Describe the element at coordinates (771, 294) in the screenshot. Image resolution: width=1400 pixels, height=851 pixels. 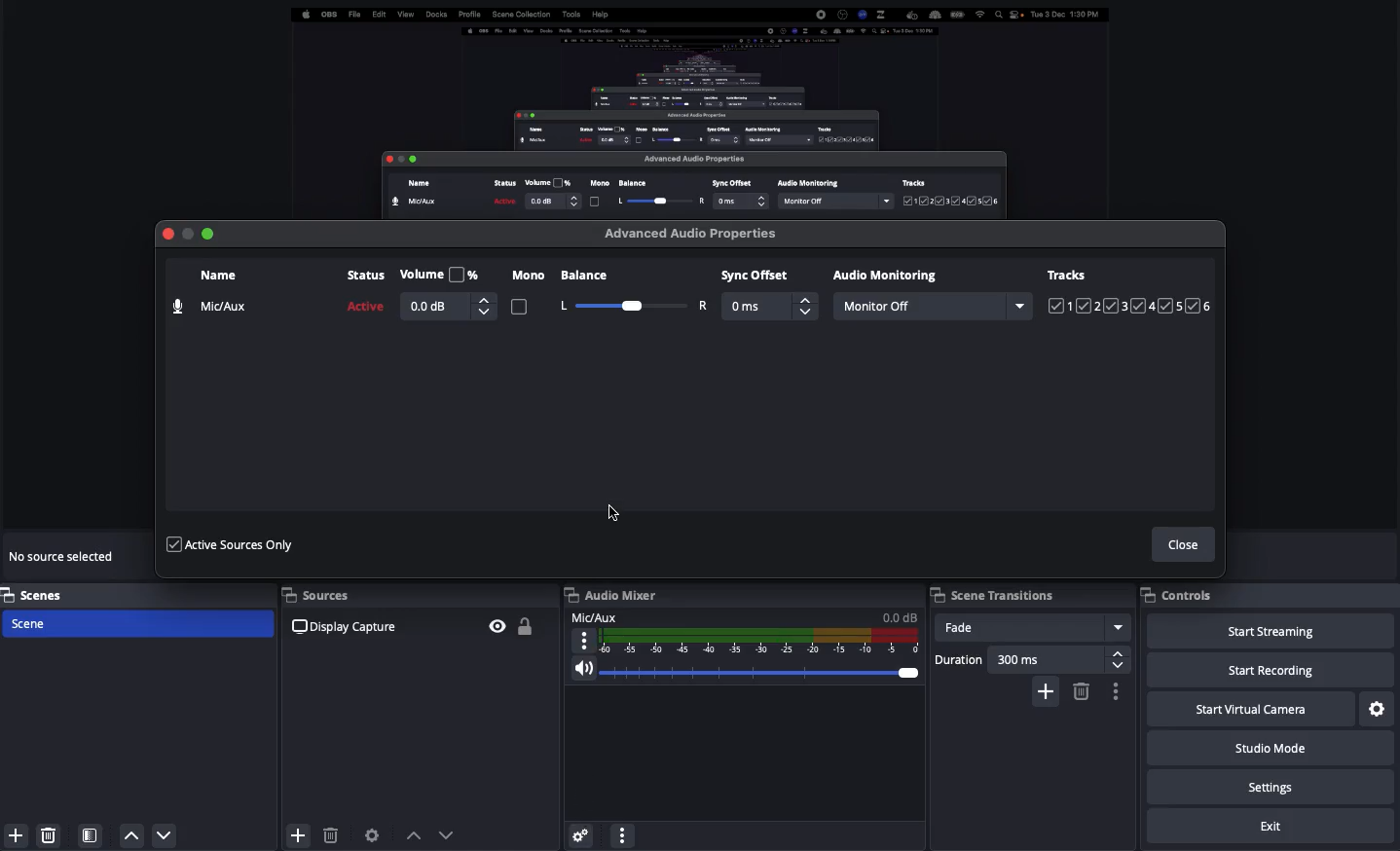
I see `Sync offset` at that location.